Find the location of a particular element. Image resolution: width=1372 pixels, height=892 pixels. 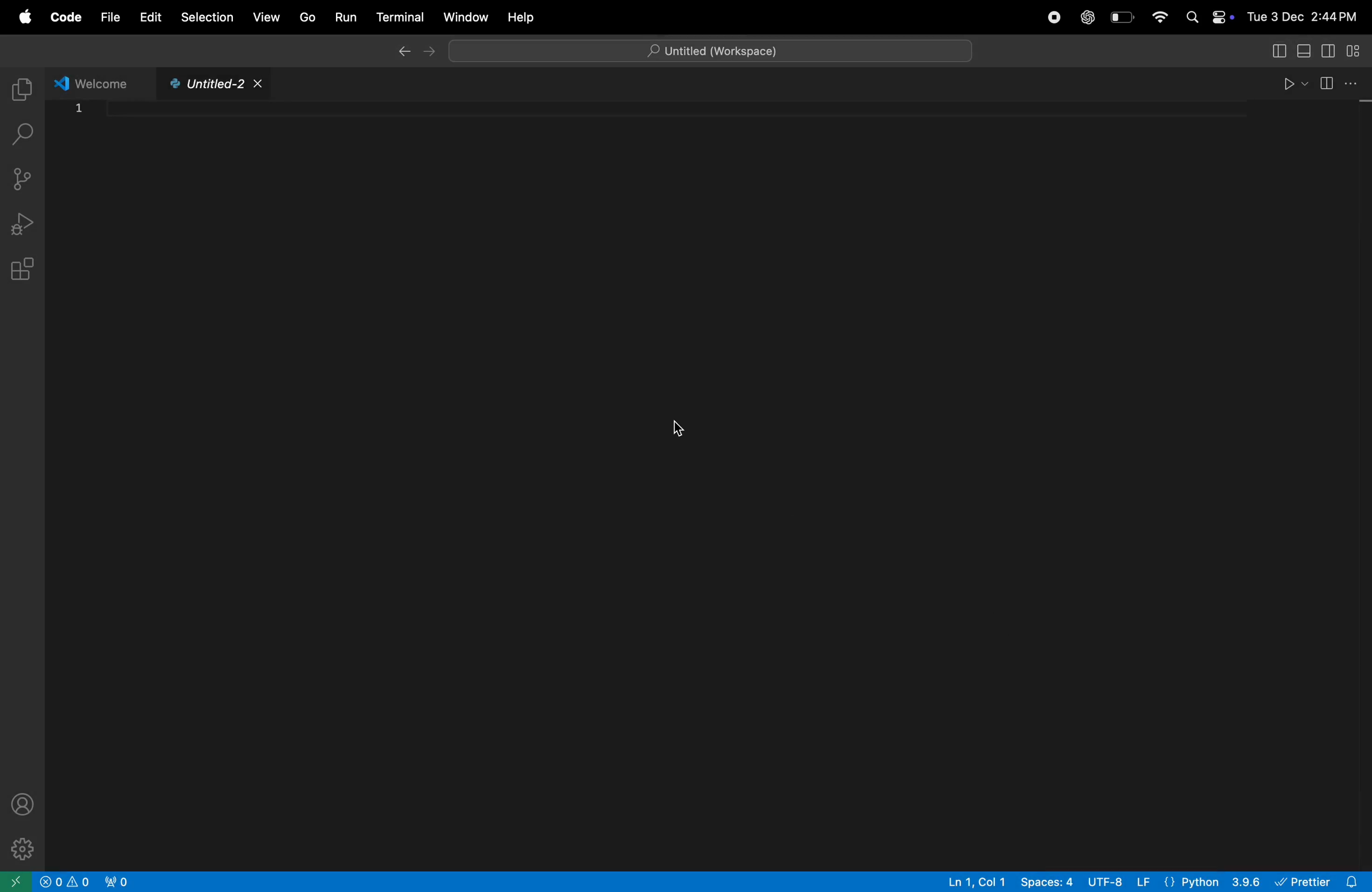

apple menu is located at coordinates (26, 14).